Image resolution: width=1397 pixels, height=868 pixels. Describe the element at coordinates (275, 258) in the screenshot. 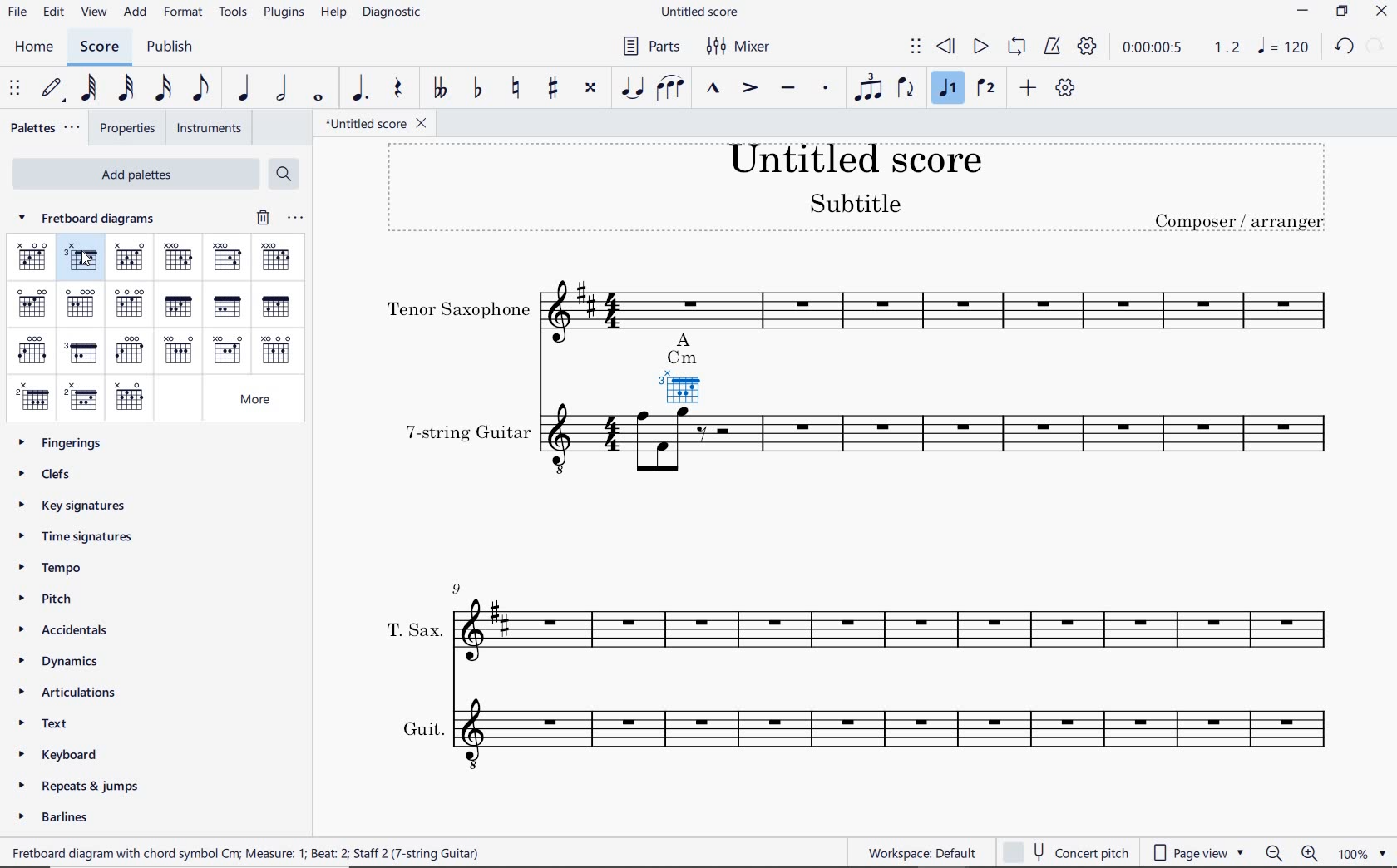

I see `D7` at that location.